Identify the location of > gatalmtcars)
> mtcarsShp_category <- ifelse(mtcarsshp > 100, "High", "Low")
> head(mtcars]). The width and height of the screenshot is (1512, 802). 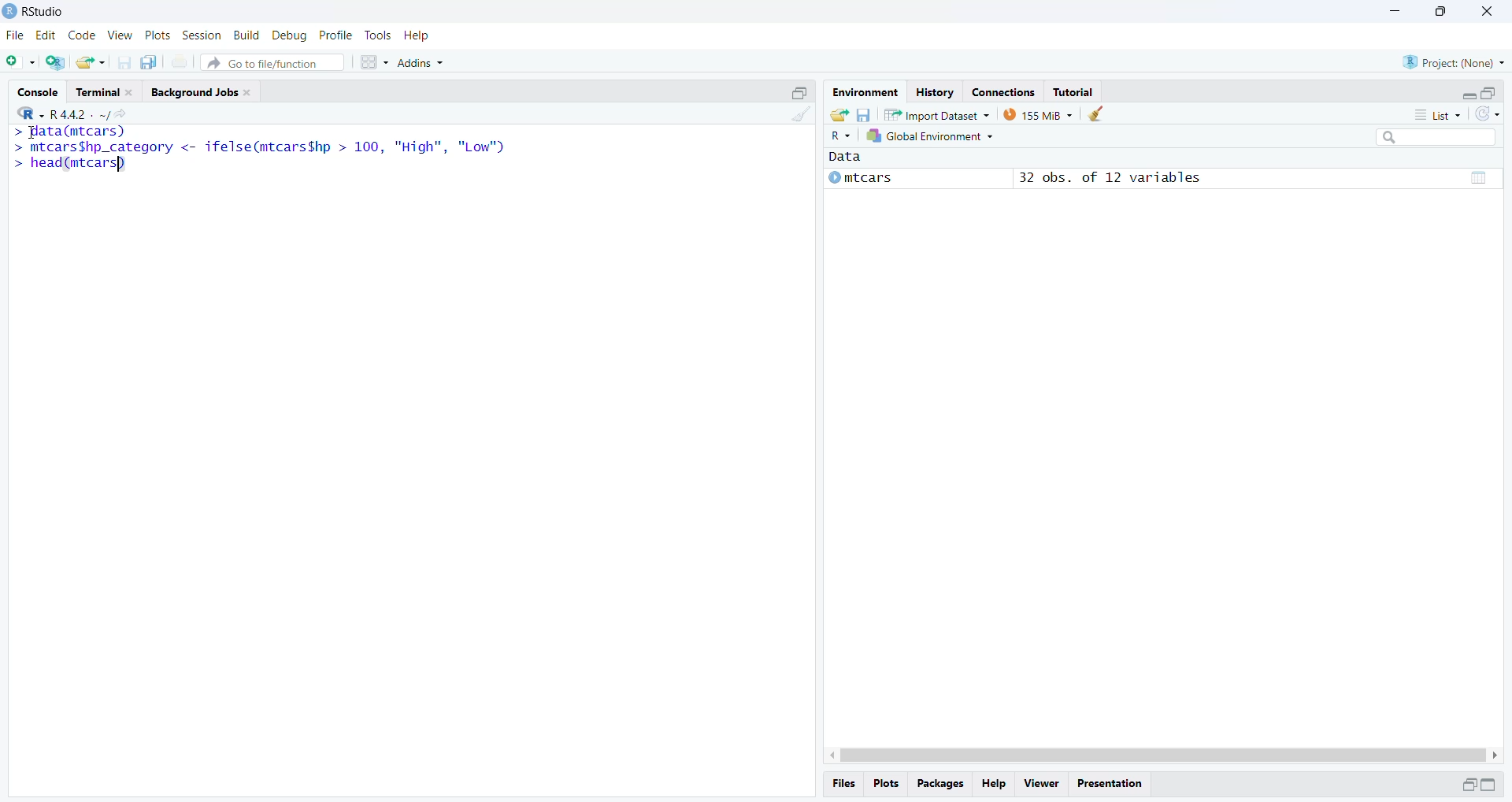
(265, 158).